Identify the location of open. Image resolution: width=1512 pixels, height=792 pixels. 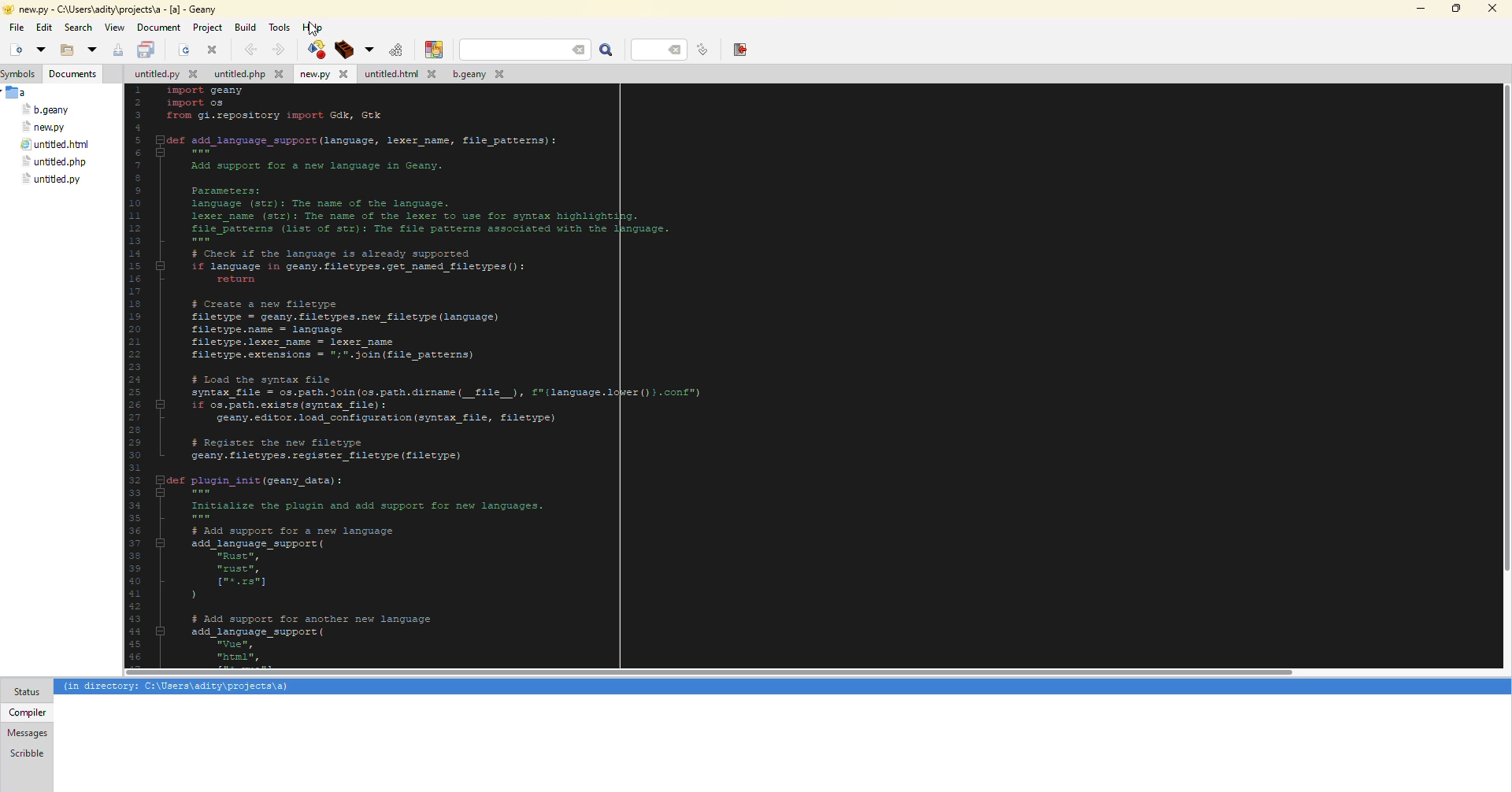
(63, 51).